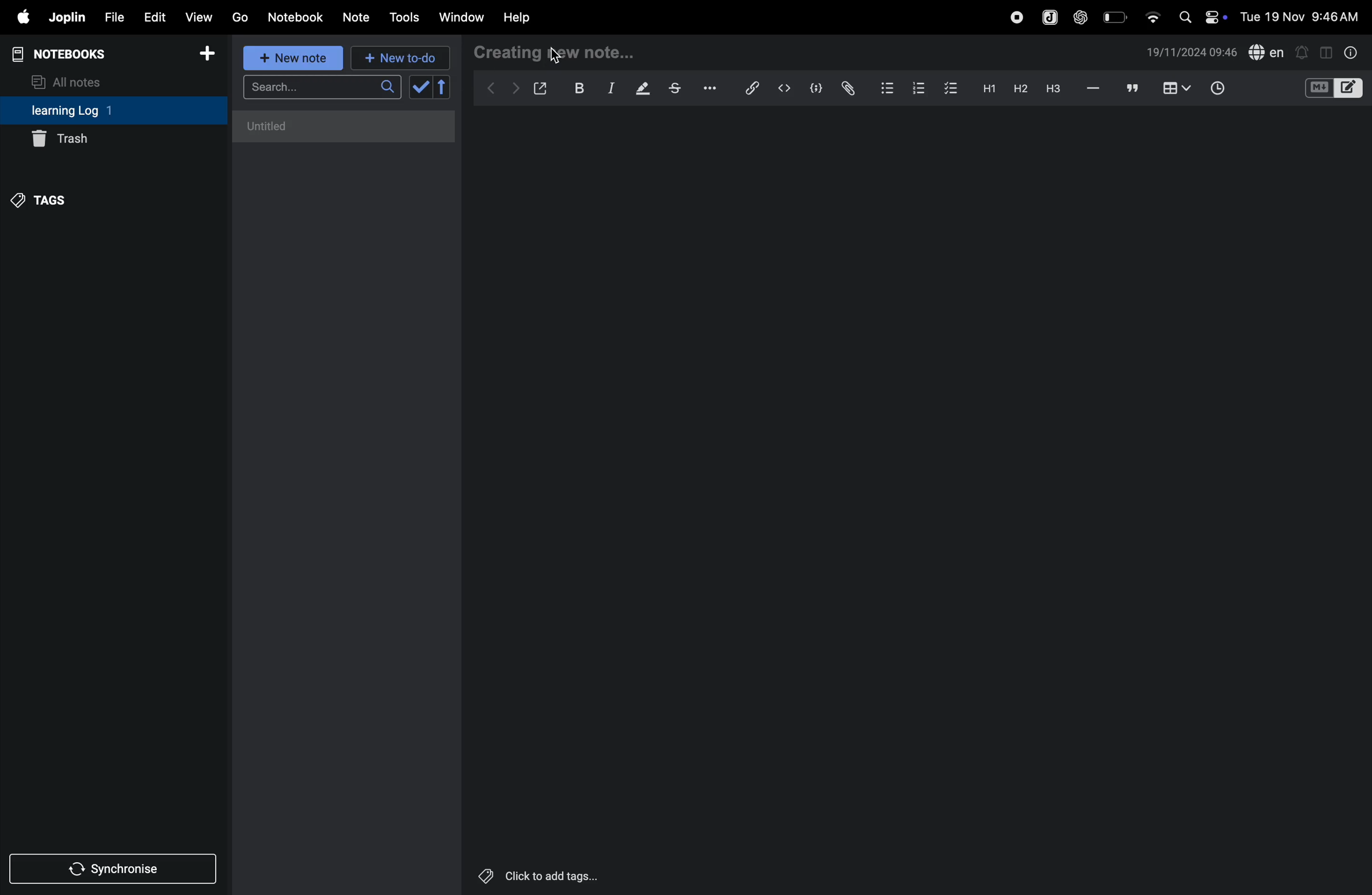  What do you see at coordinates (115, 870) in the screenshot?
I see `synchronise` at bounding box center [115, 870].